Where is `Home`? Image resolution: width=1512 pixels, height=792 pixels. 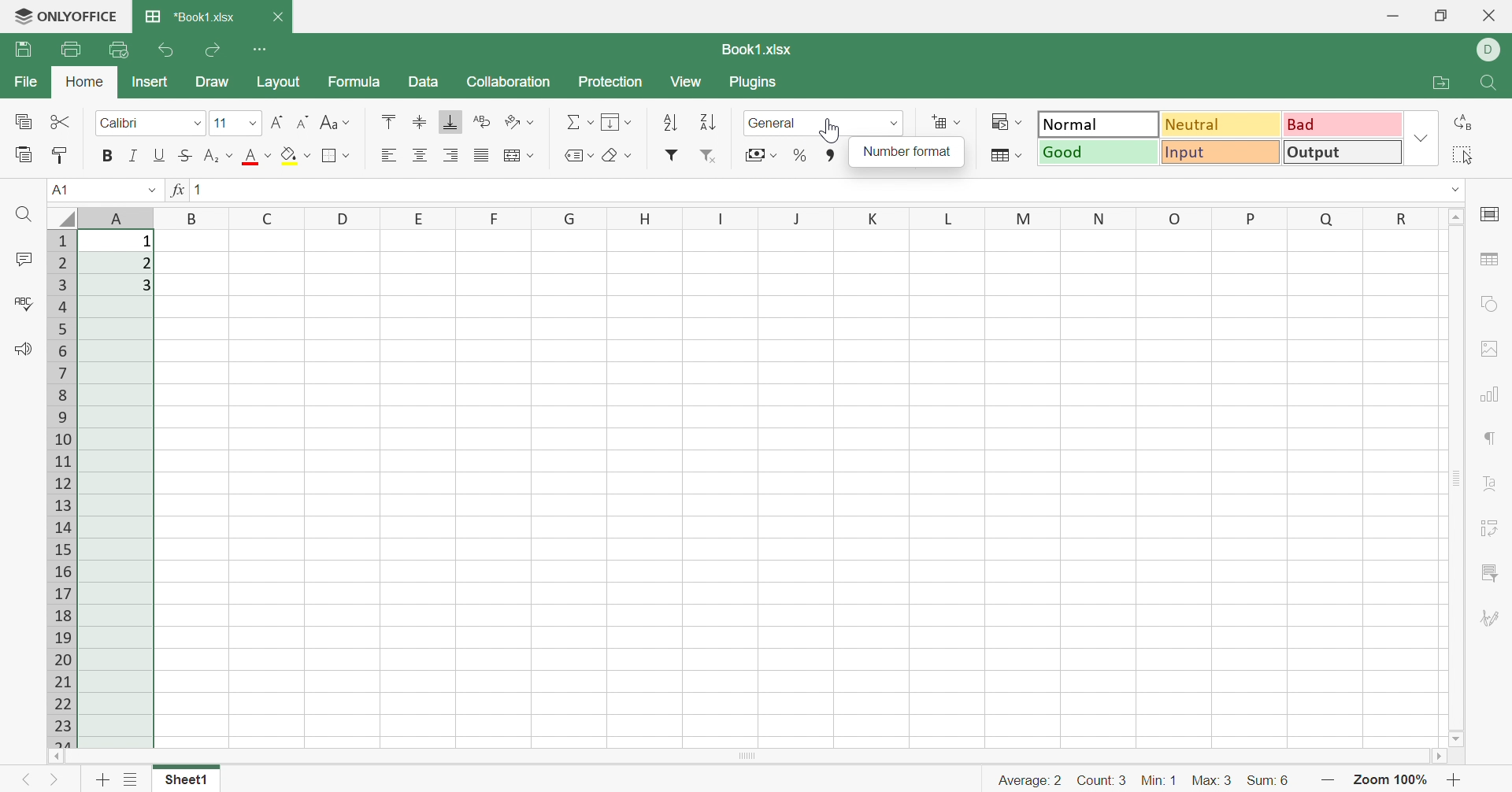
Home is located at coordinates (85, 81).